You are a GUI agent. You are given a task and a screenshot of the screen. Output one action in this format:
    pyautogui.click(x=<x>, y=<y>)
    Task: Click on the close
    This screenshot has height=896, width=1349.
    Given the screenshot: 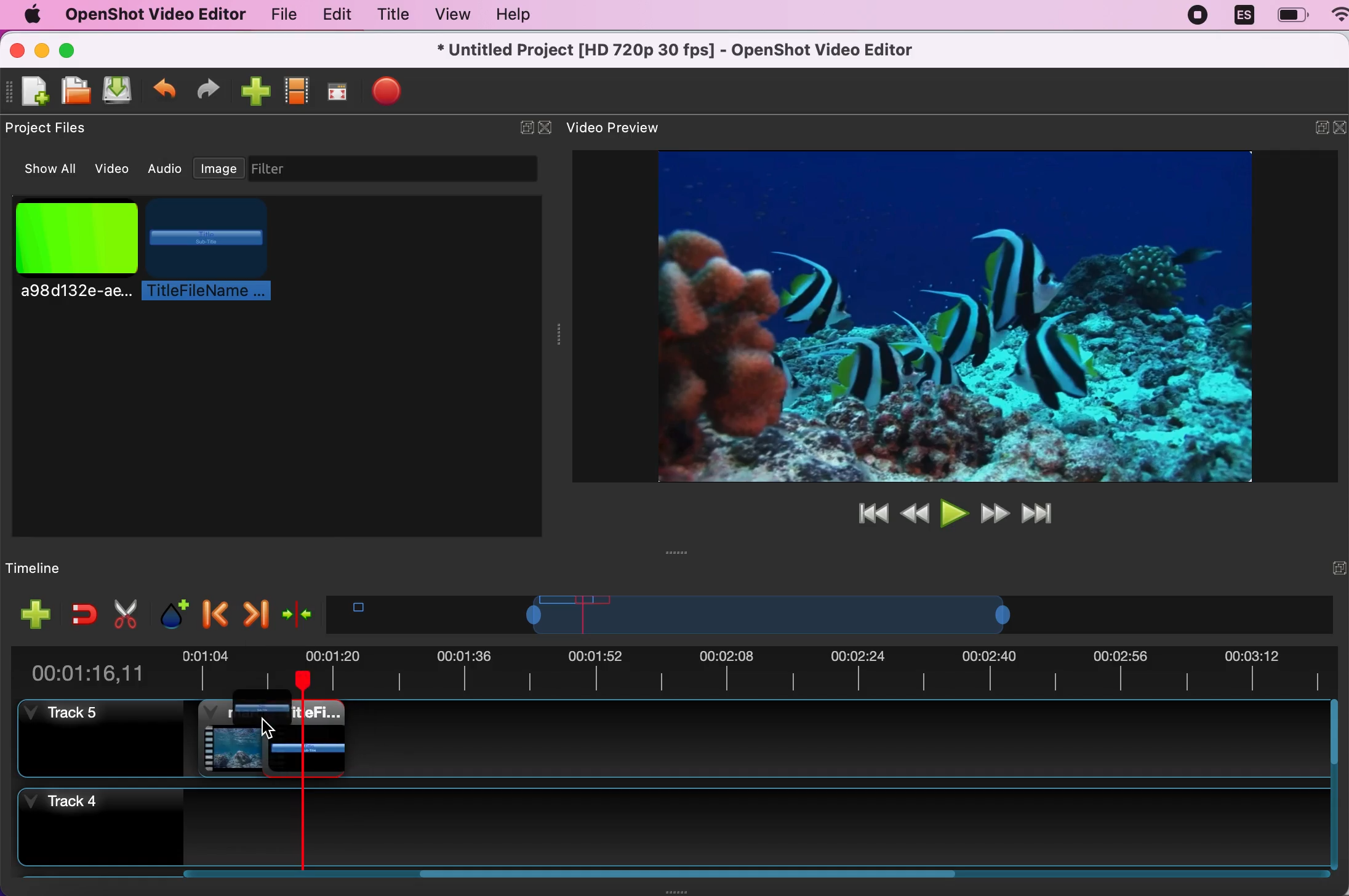 What is the action you would take?
    pyautogui.click(x=17, y=49)
    